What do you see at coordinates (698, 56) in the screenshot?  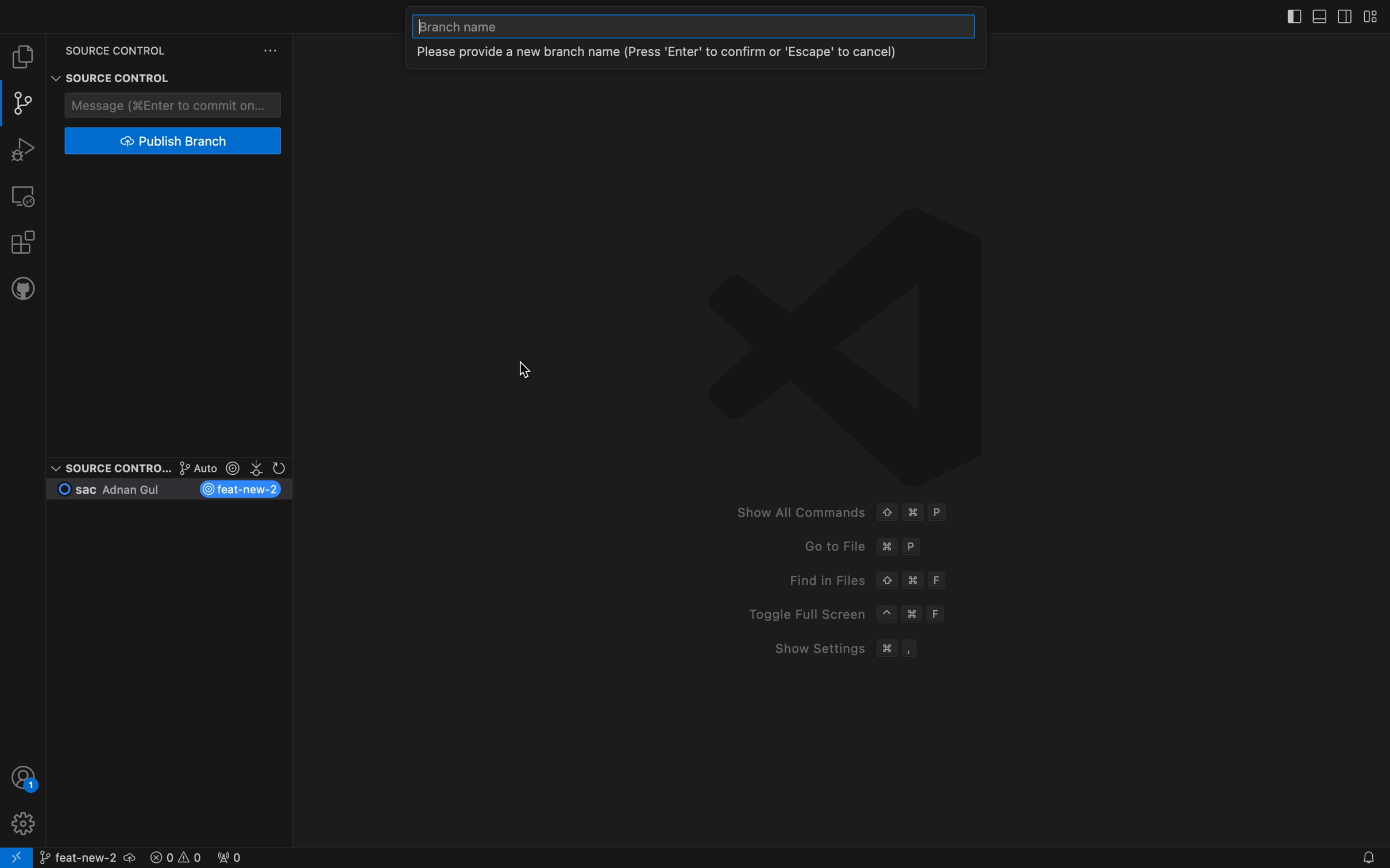 I see `branch message` at bounding box center [698, 56].